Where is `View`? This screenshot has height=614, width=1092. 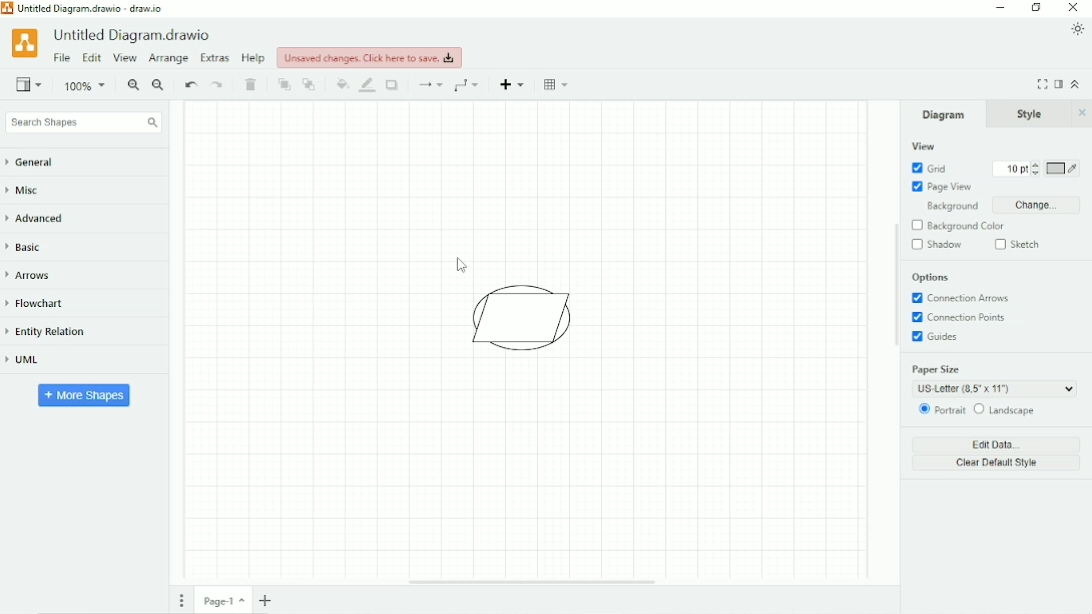 View is located at coordinates (125, 59).